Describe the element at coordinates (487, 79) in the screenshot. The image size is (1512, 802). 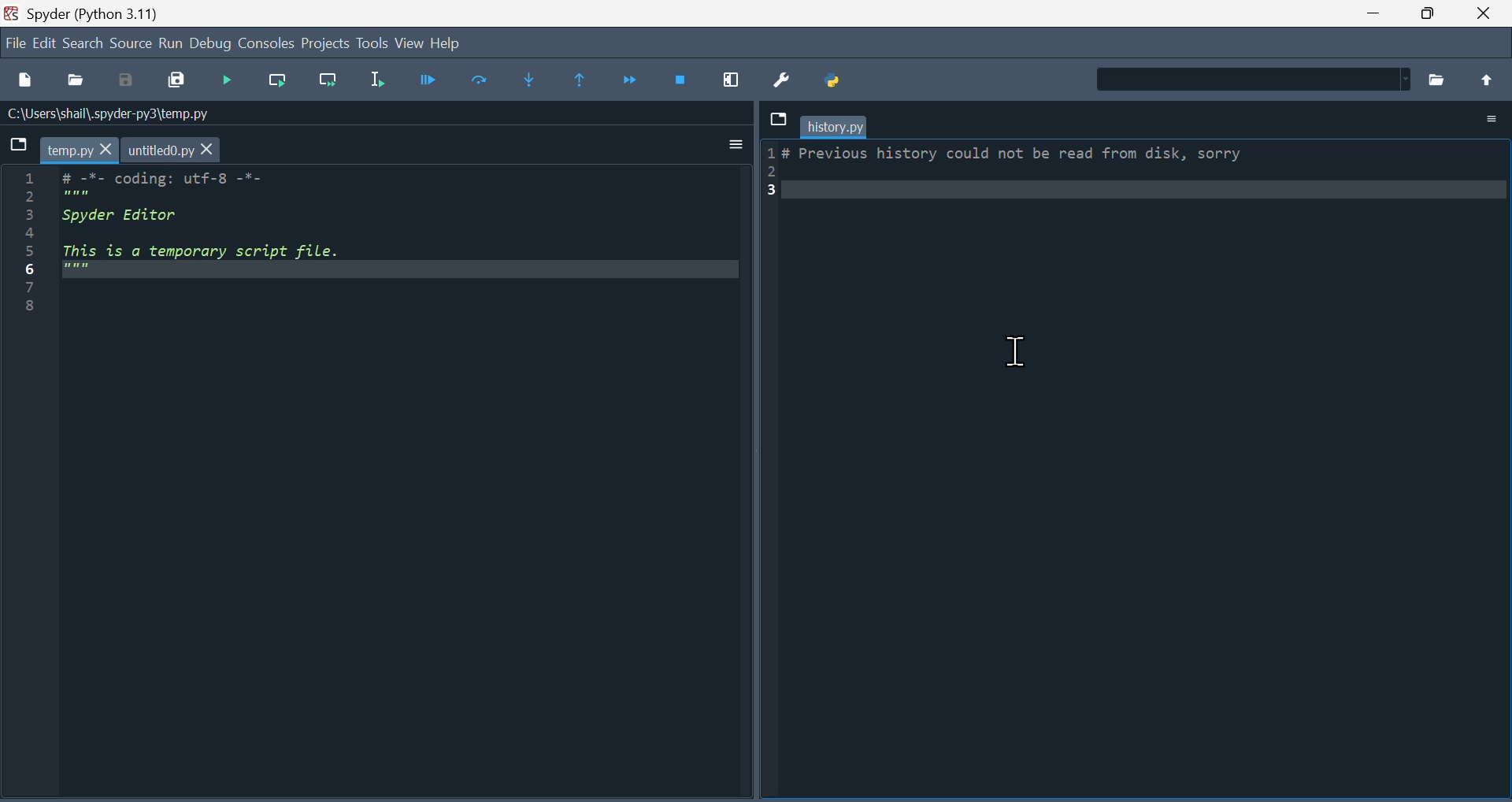
I see `Run cell` at that location.